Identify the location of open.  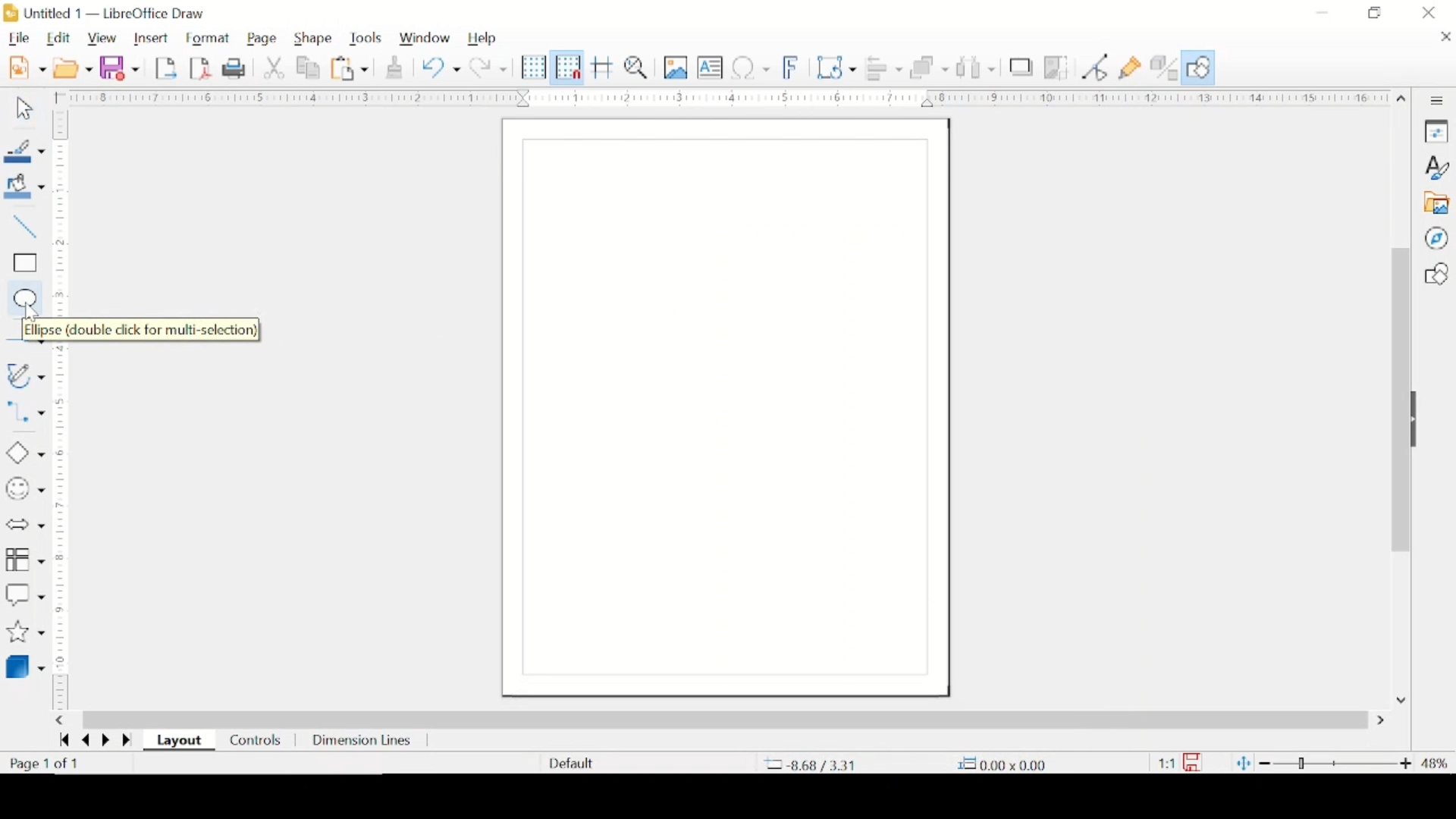
(74, 67).